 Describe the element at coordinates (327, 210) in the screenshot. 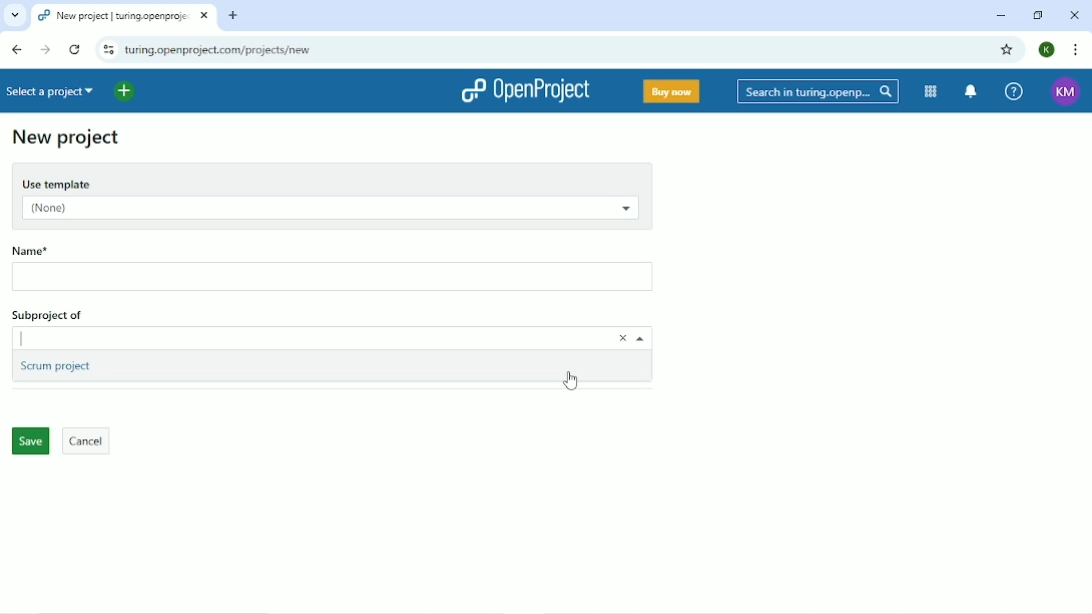

I see `(None)` at that location.